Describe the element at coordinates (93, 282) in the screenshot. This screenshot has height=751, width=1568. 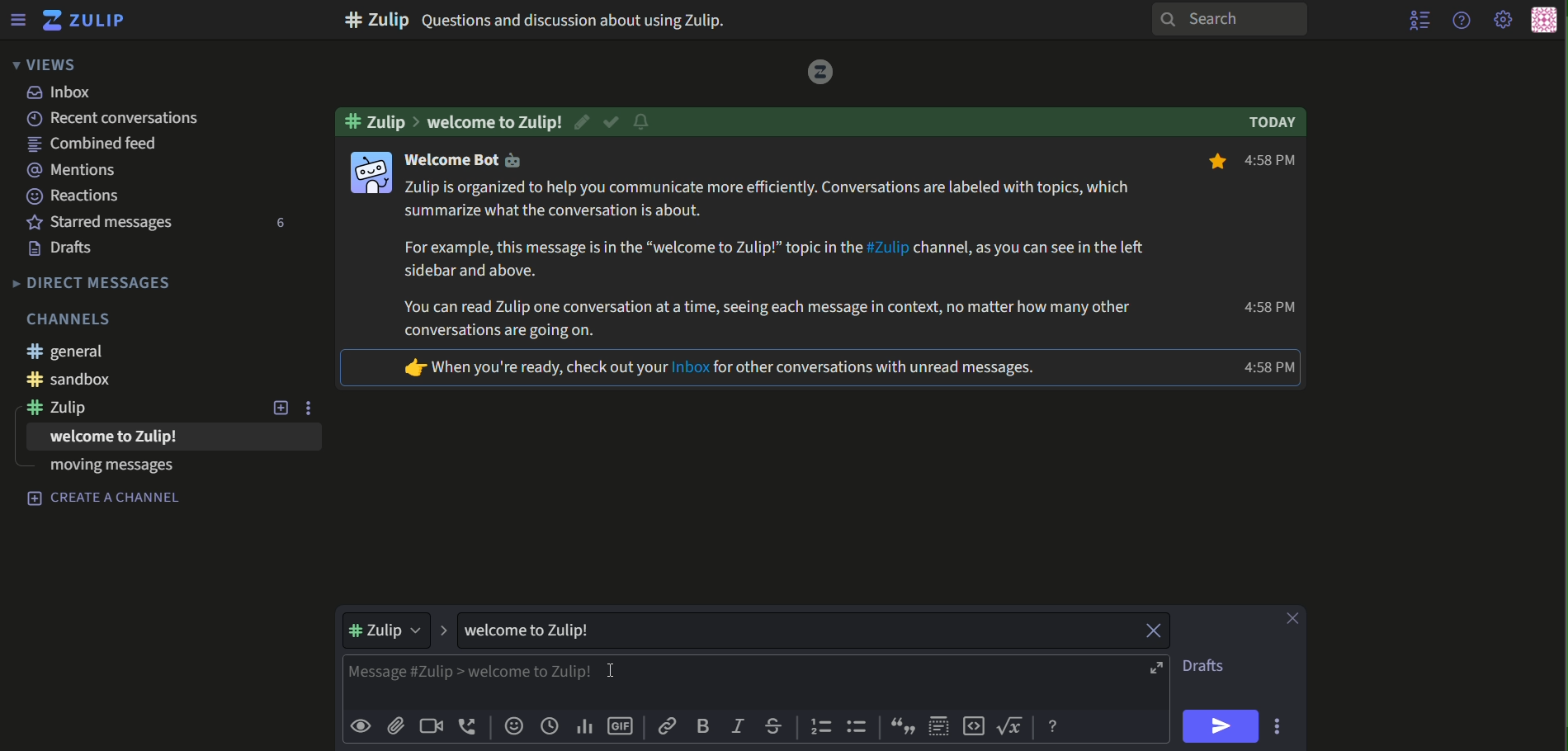
I see `text` at that location.